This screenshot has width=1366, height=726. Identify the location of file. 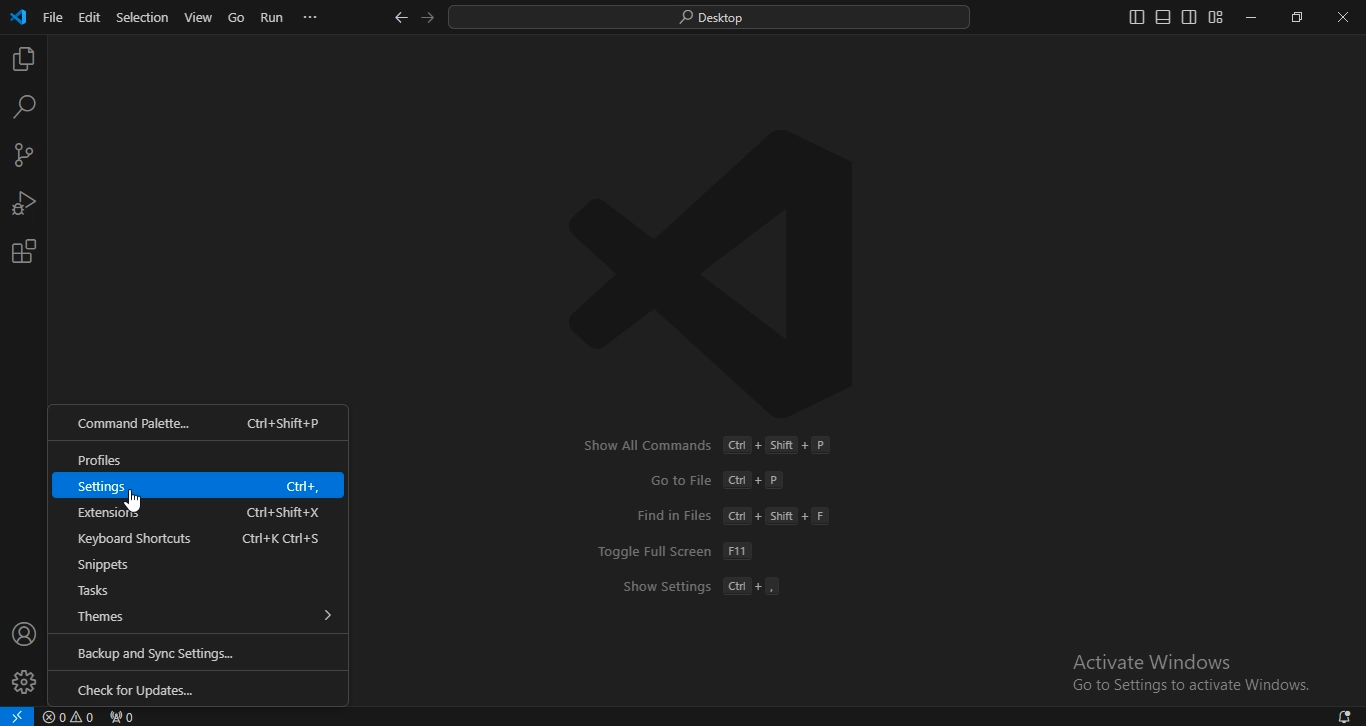
(54, 16).